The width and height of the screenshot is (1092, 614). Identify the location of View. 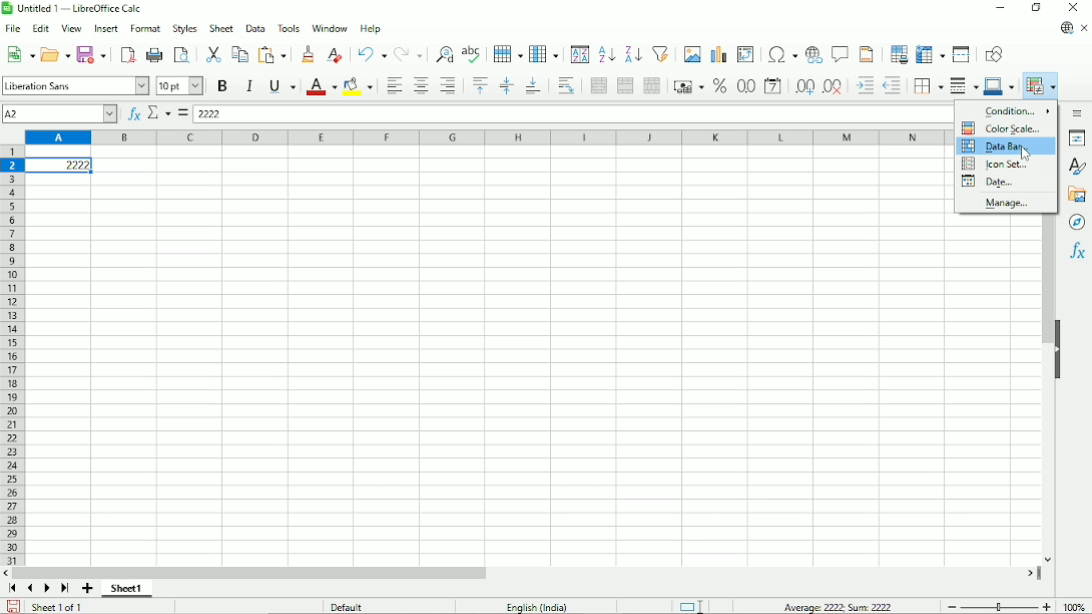
(72, 27).